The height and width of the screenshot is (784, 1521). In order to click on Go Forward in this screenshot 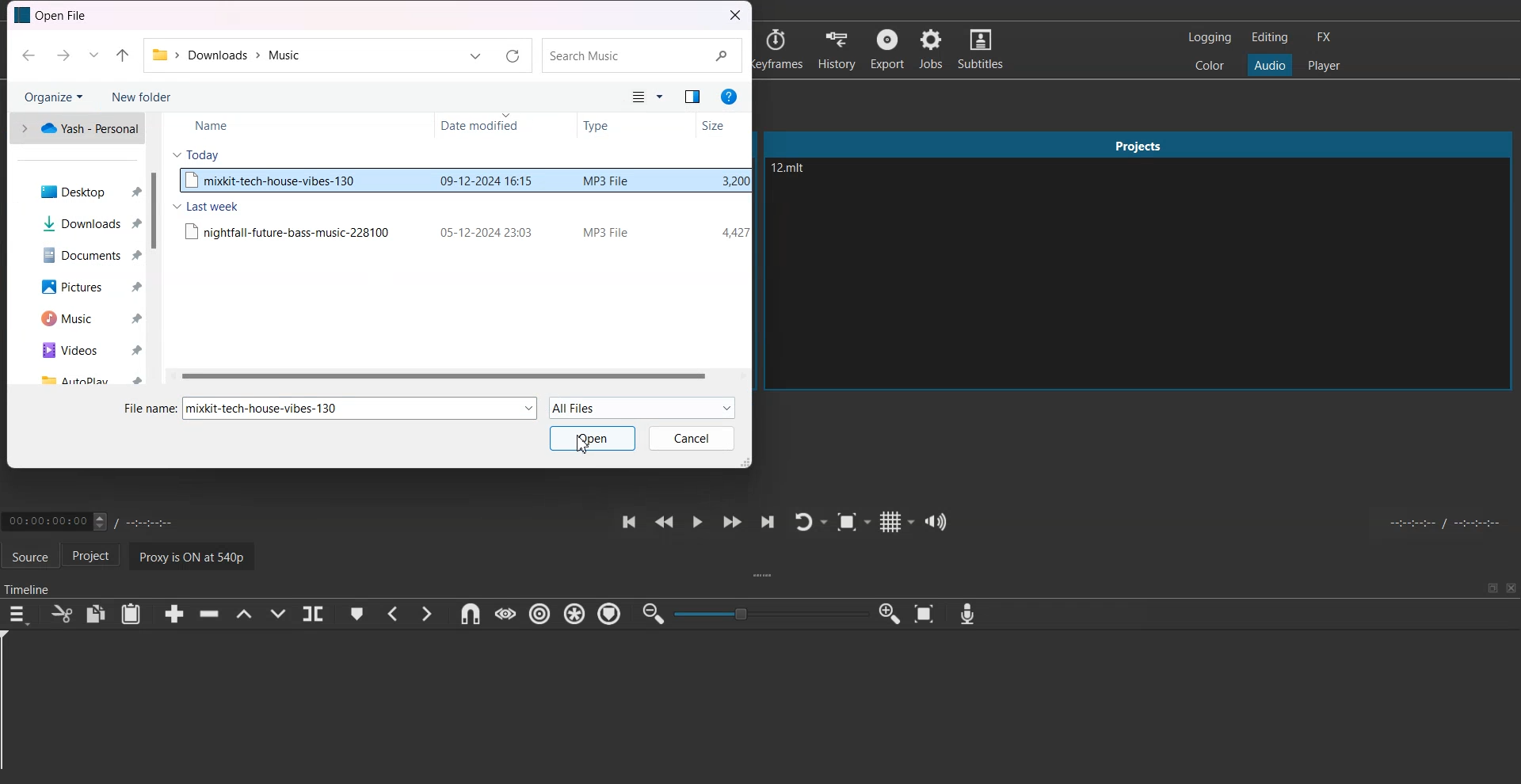, I will do `click(61, 55)`.